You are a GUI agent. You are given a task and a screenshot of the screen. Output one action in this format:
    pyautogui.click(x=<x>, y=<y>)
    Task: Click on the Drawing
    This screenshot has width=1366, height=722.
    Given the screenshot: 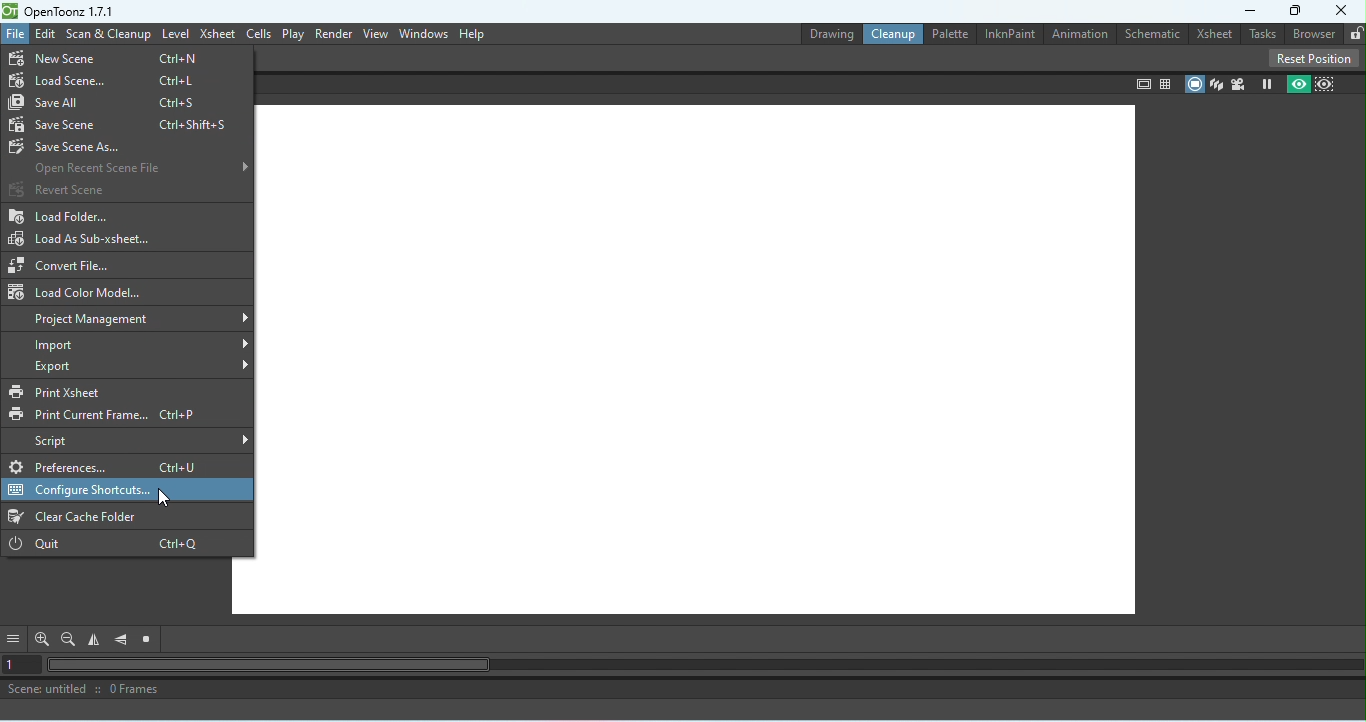 What is the action you would take?
    pyautogui.click(x=830, y=34)
    